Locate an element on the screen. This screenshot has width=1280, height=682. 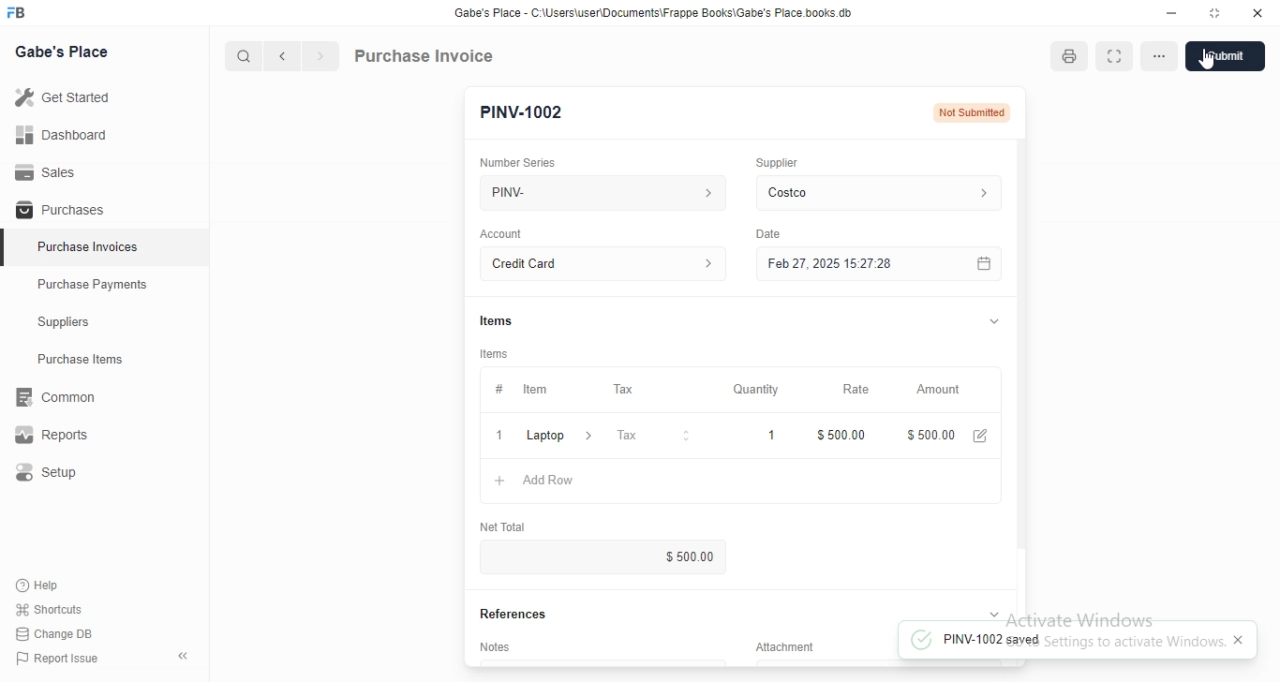
Credit Card is located at coordinates (603, 263).